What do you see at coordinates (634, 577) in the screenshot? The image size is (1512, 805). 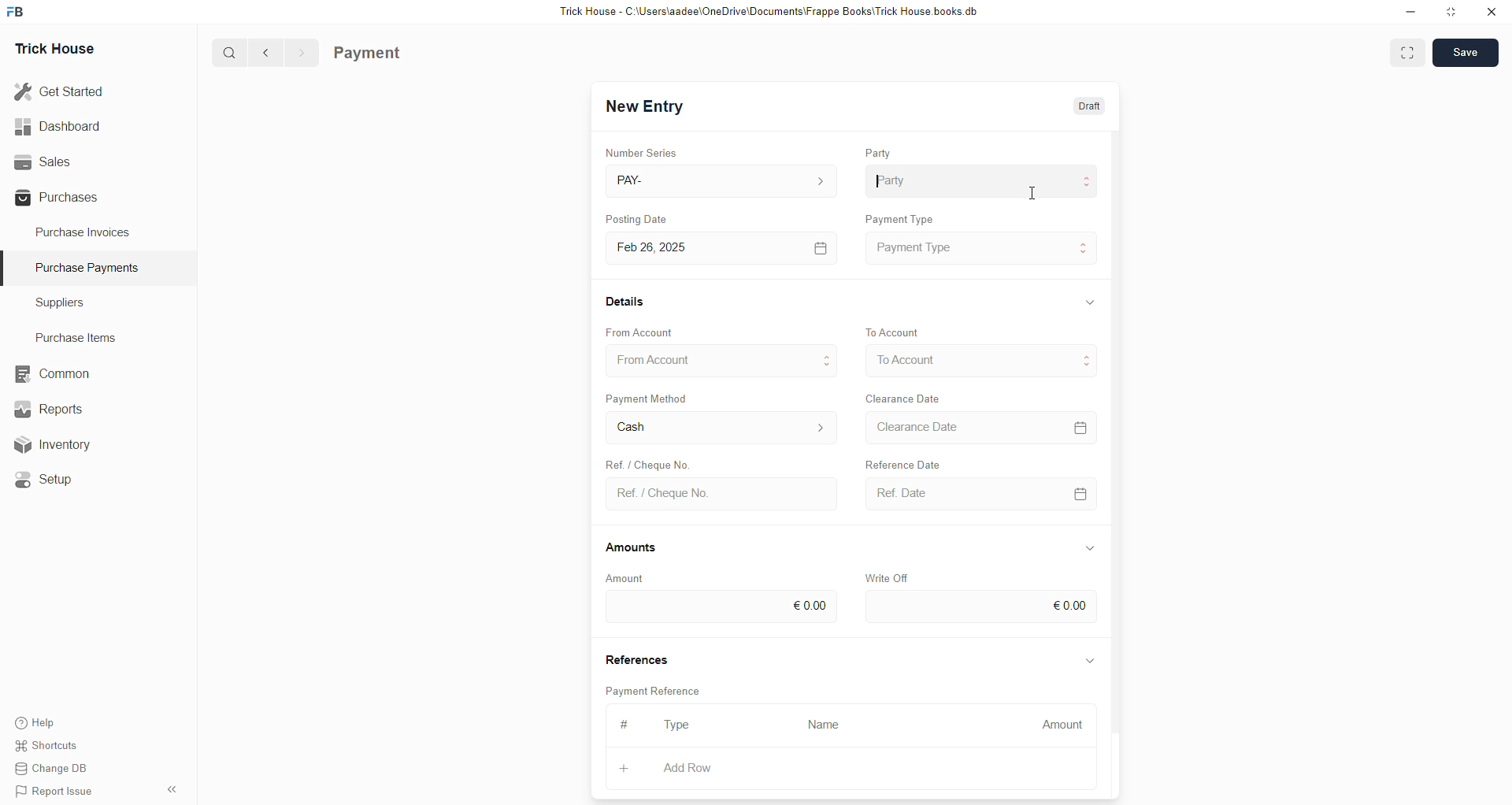 I see `Amount` at bounding box center [634, 577].